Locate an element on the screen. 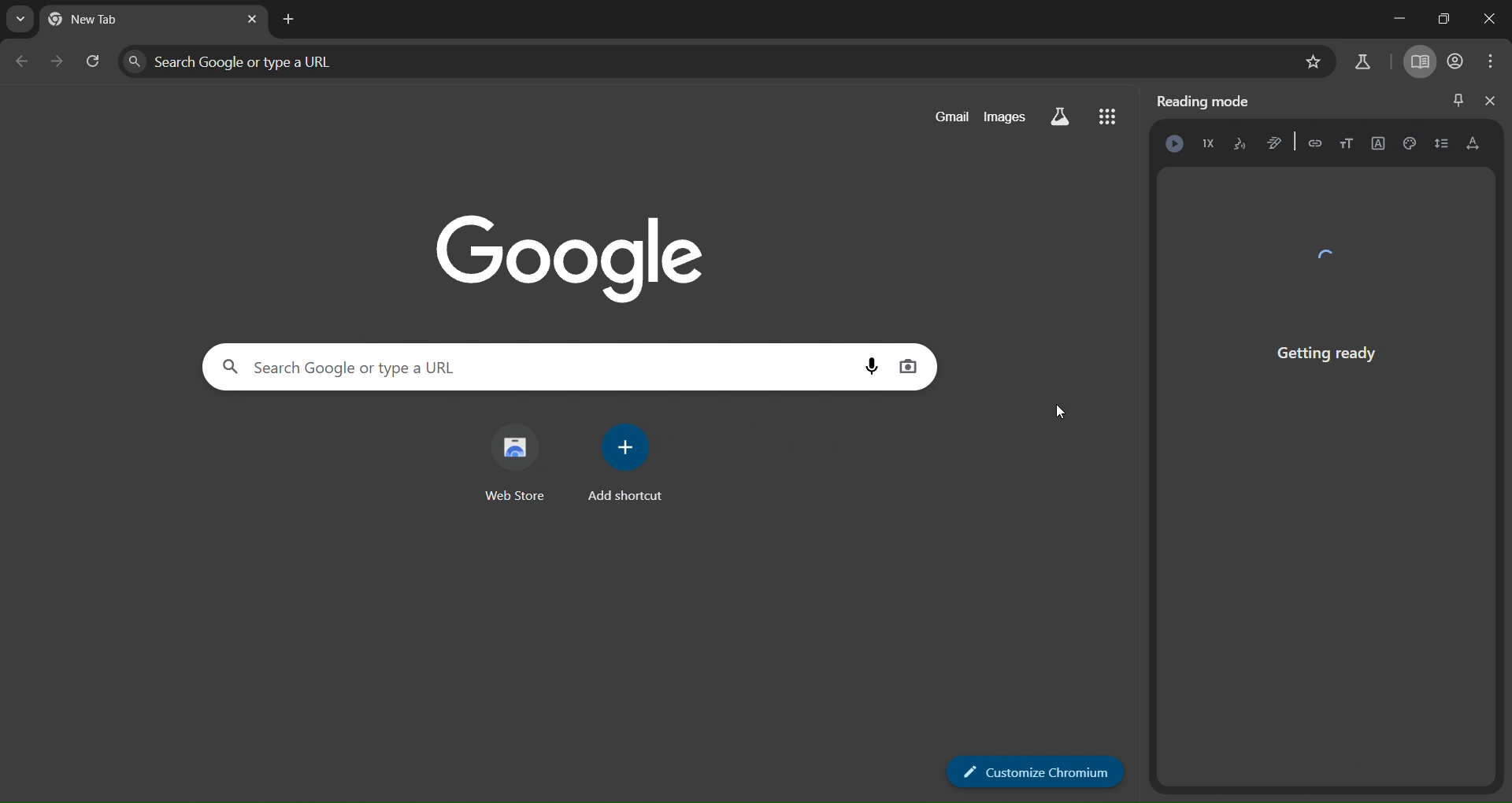 The image size is (1512, 803). customize chromium is located at coordinates (1025, 772).